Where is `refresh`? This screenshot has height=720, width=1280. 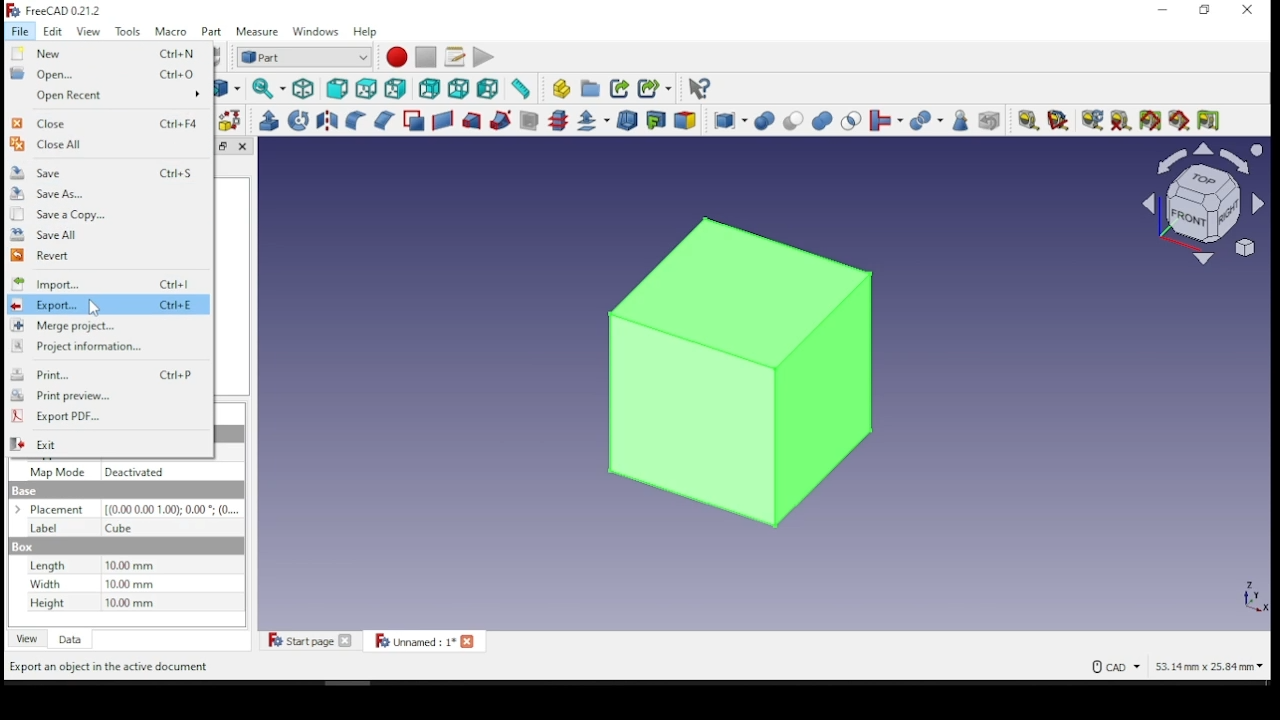
refresh is located at coordinates (1089, 120).